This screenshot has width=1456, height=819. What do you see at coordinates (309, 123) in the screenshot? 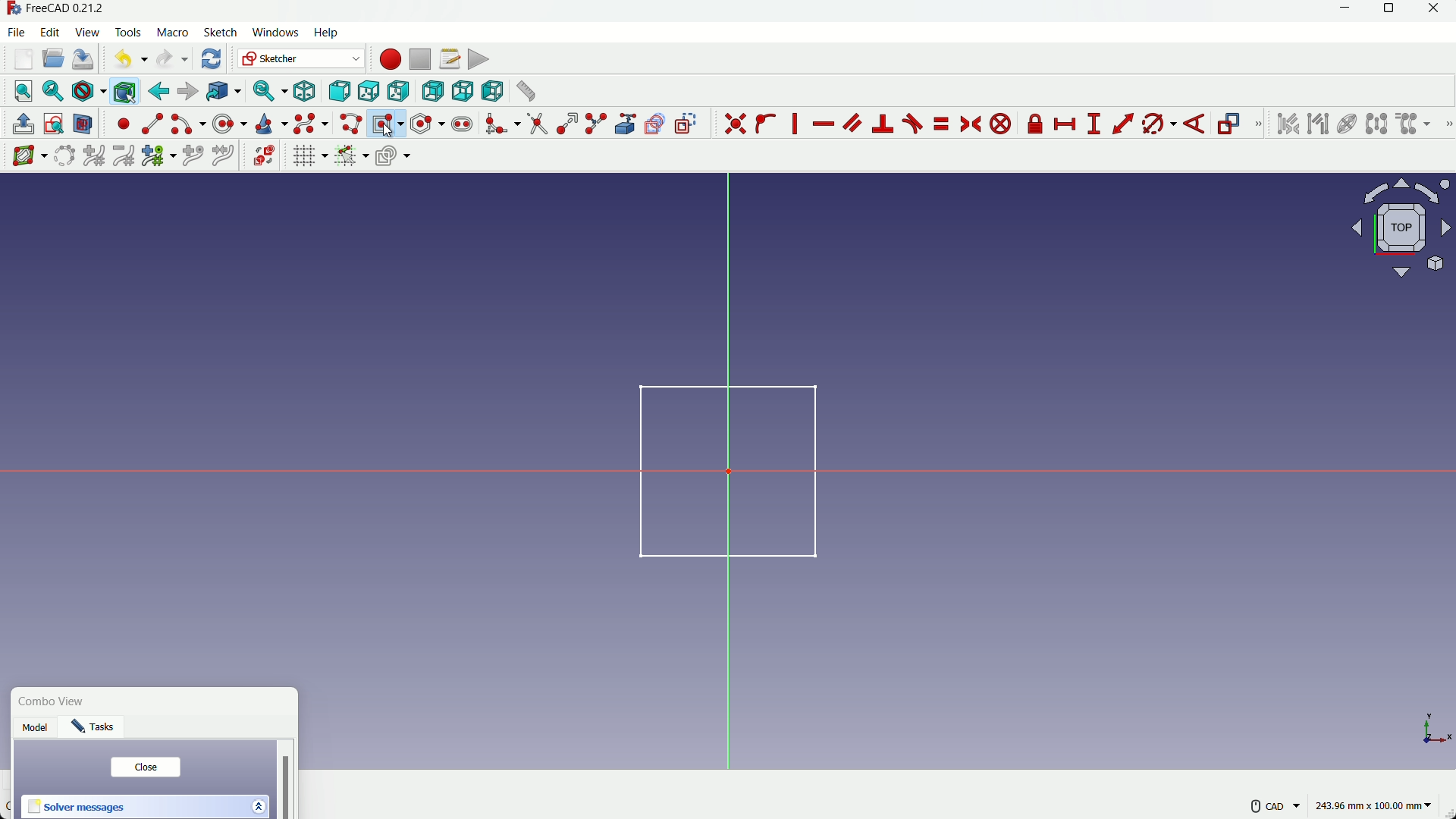
I see `create spiline` at bounding box center [309, 123].